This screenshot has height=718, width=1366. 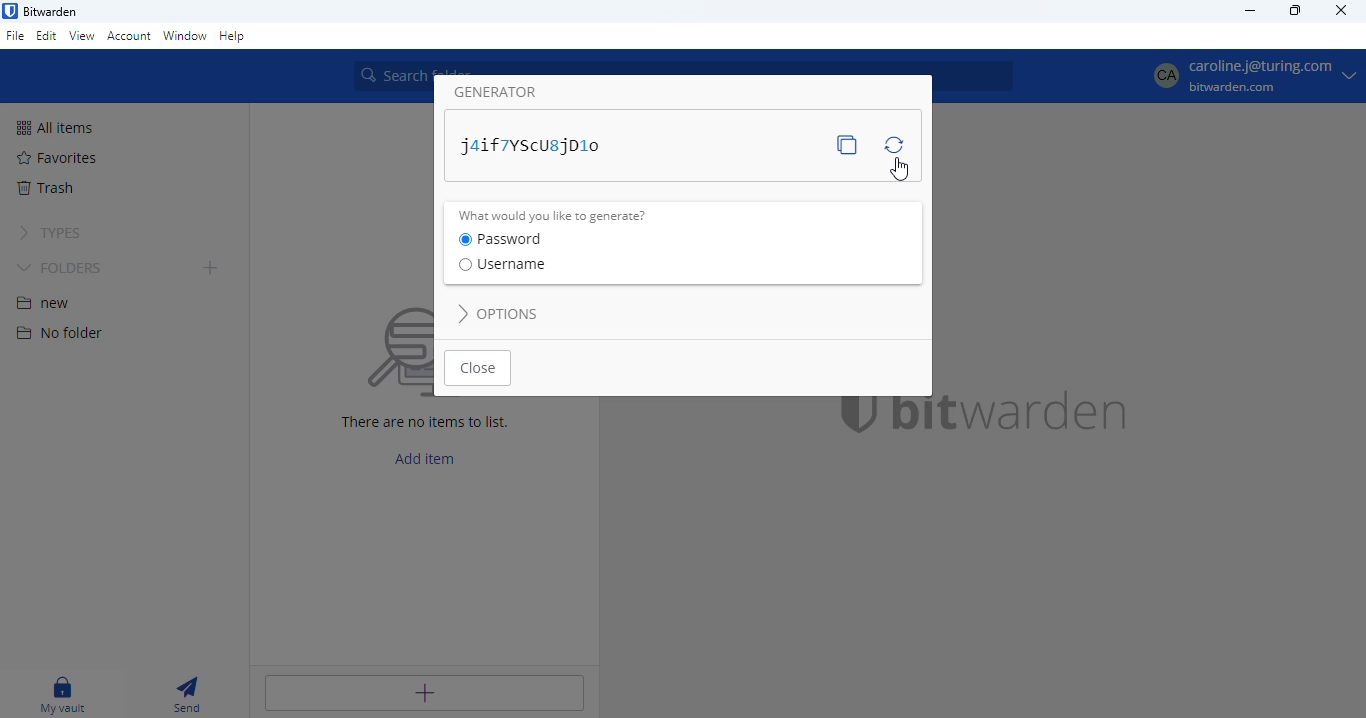 What do you see at coordinates (60, 268) in the screenshot?
I see `folders` at bounding box center [60, 268].